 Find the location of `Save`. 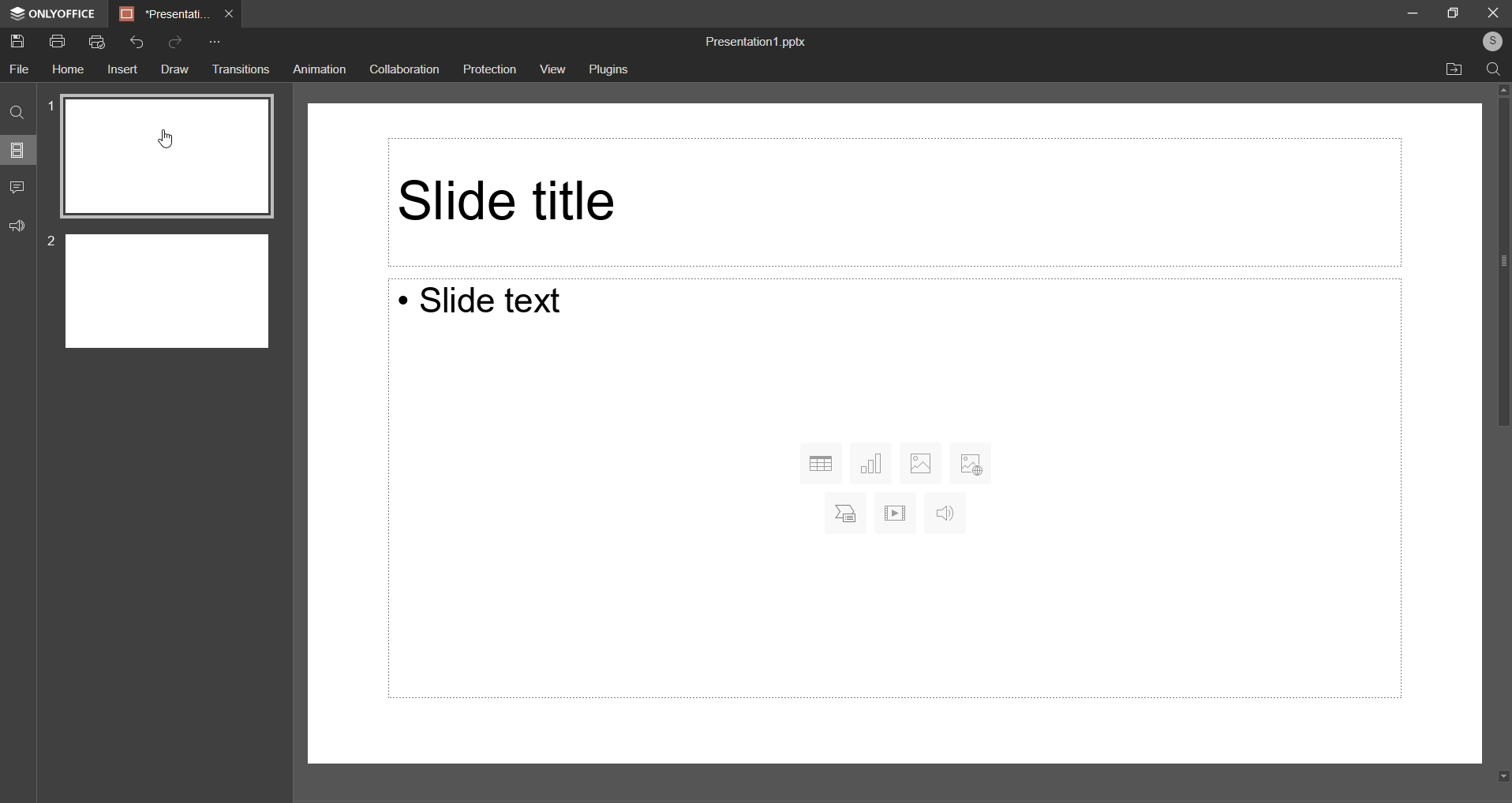

Save is located at coordinates (21, 43).